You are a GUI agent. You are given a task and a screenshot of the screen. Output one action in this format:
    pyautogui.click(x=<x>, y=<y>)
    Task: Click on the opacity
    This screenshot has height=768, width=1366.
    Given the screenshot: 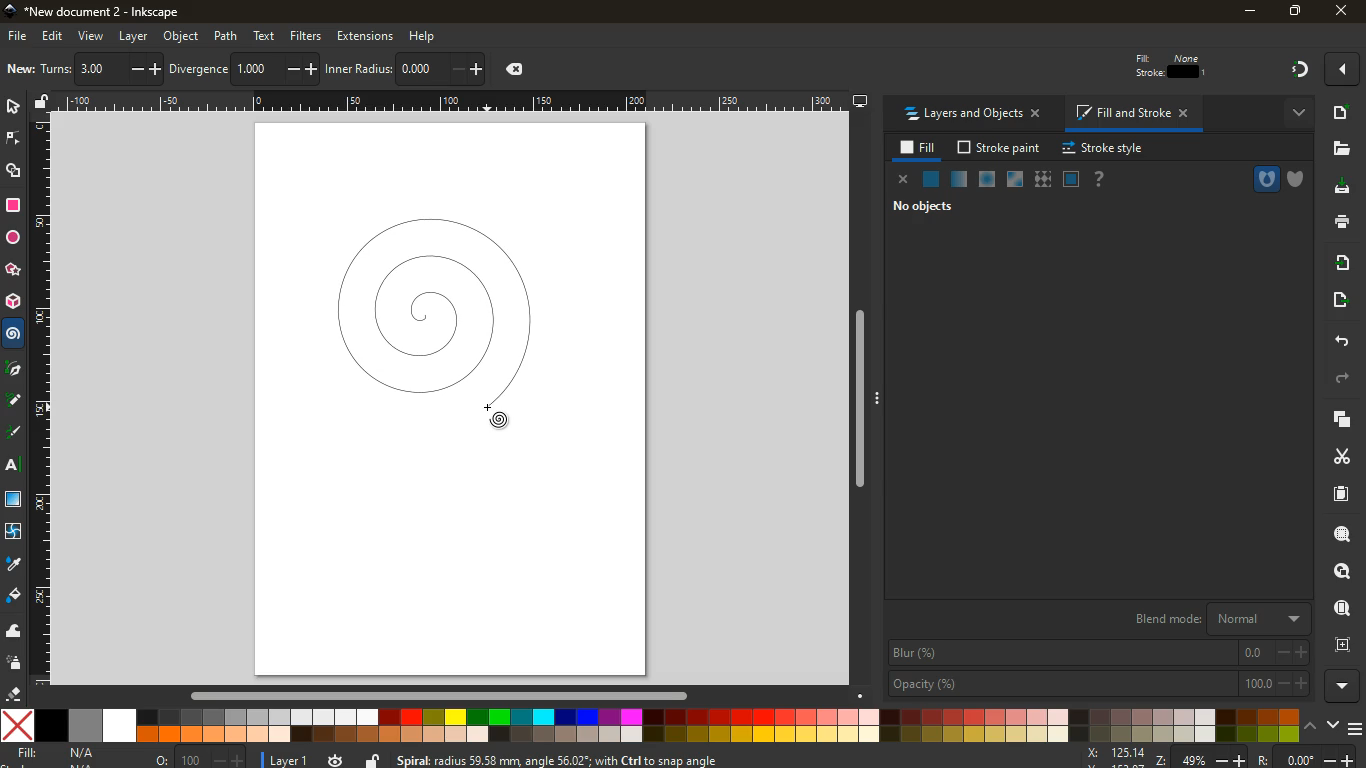 What is the action you would take?
    pyautogui.click(x=1097, y=683)
    